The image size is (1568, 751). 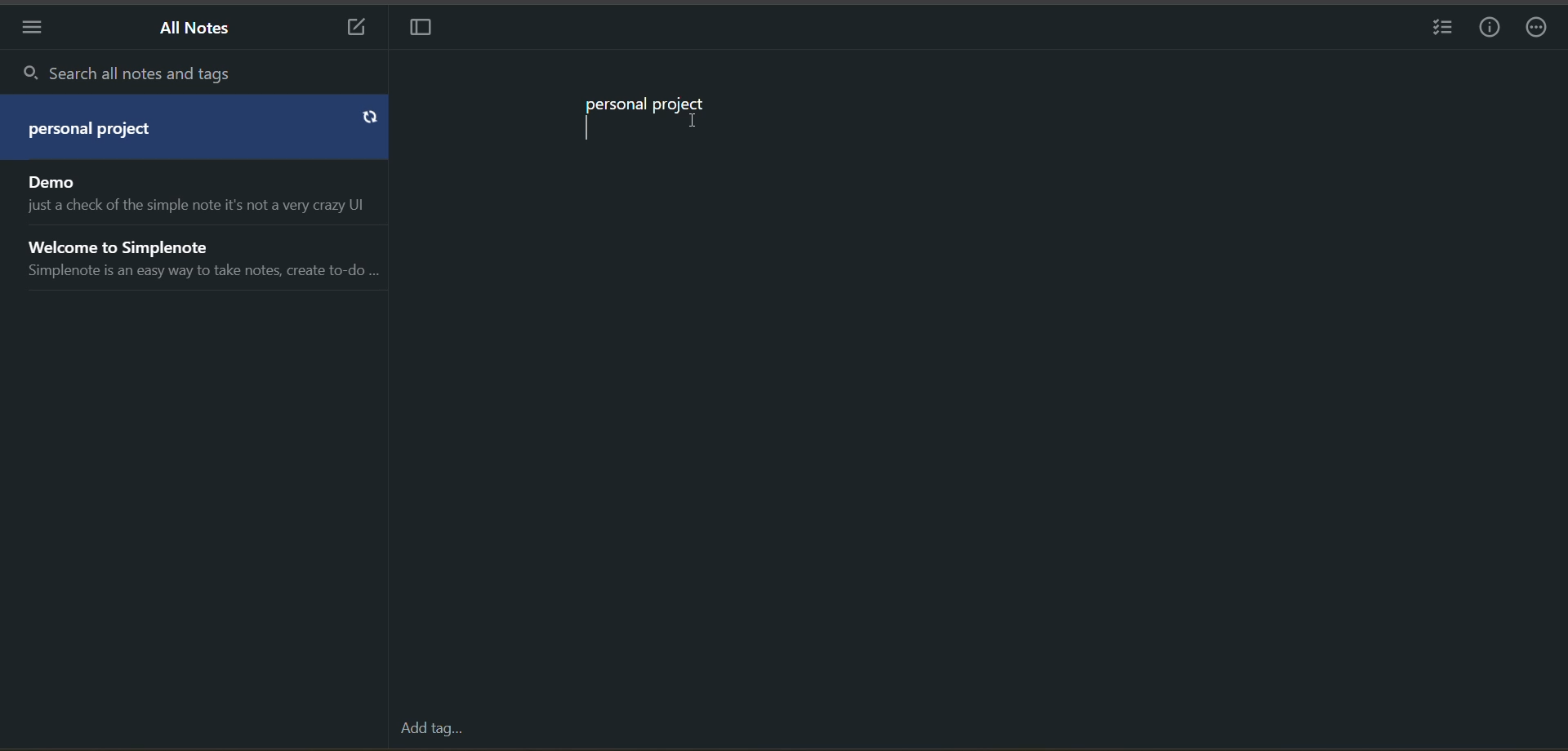 I want to click on text cursor, so click(x=588, y=128).